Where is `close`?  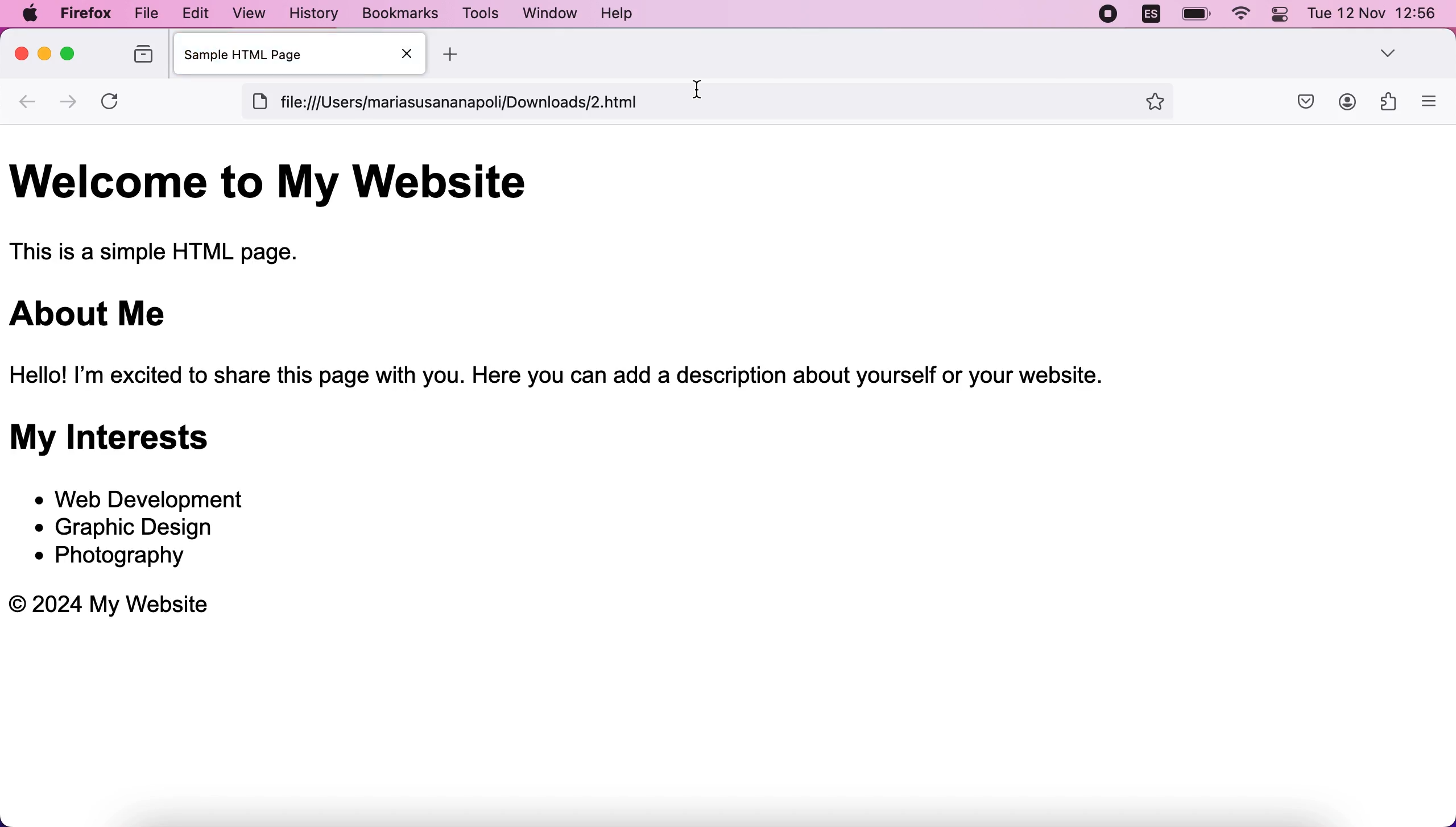 close is located at coordinates (20, 56).